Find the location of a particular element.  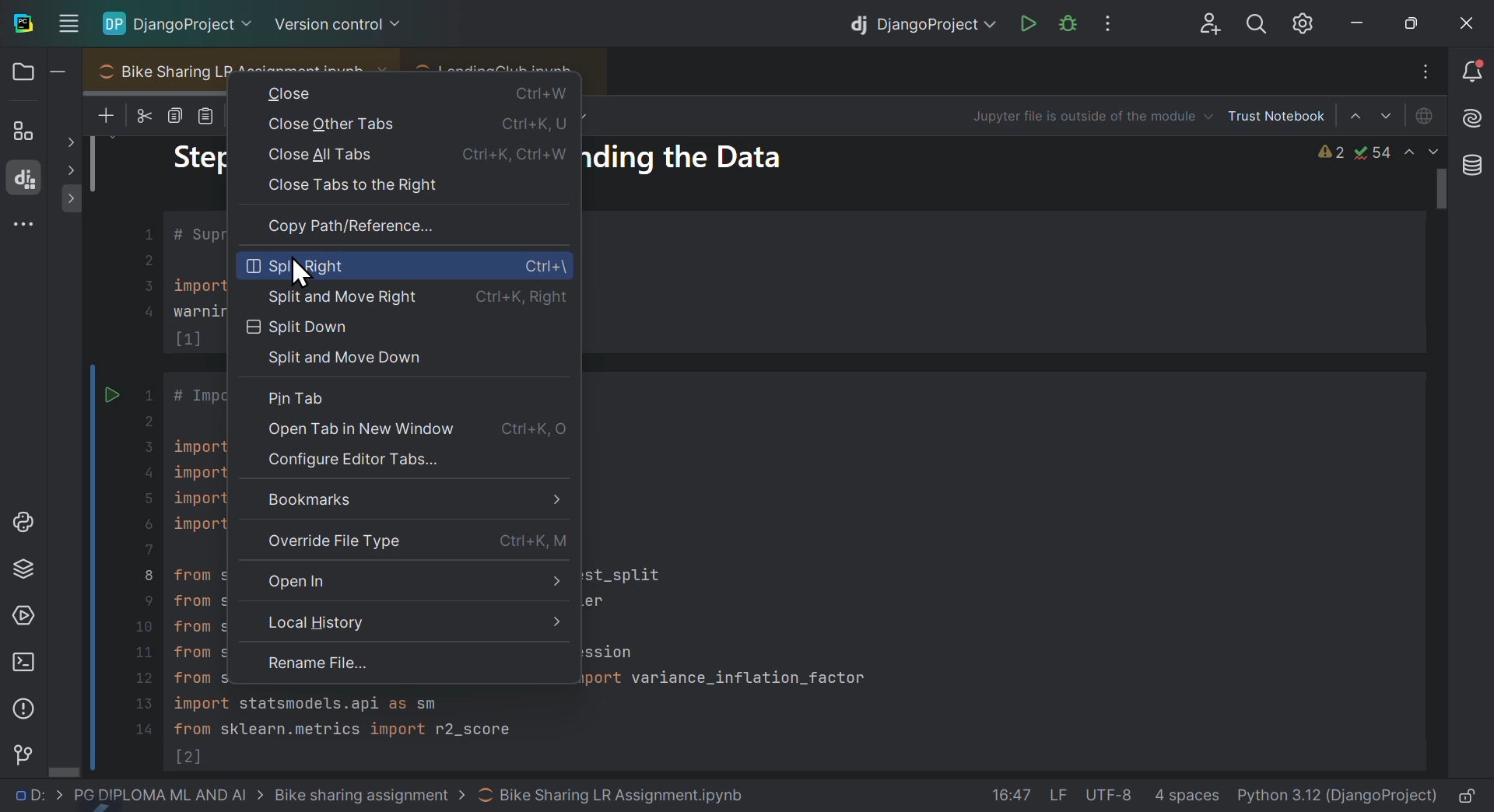

project code is located at coordinates (160, 415).